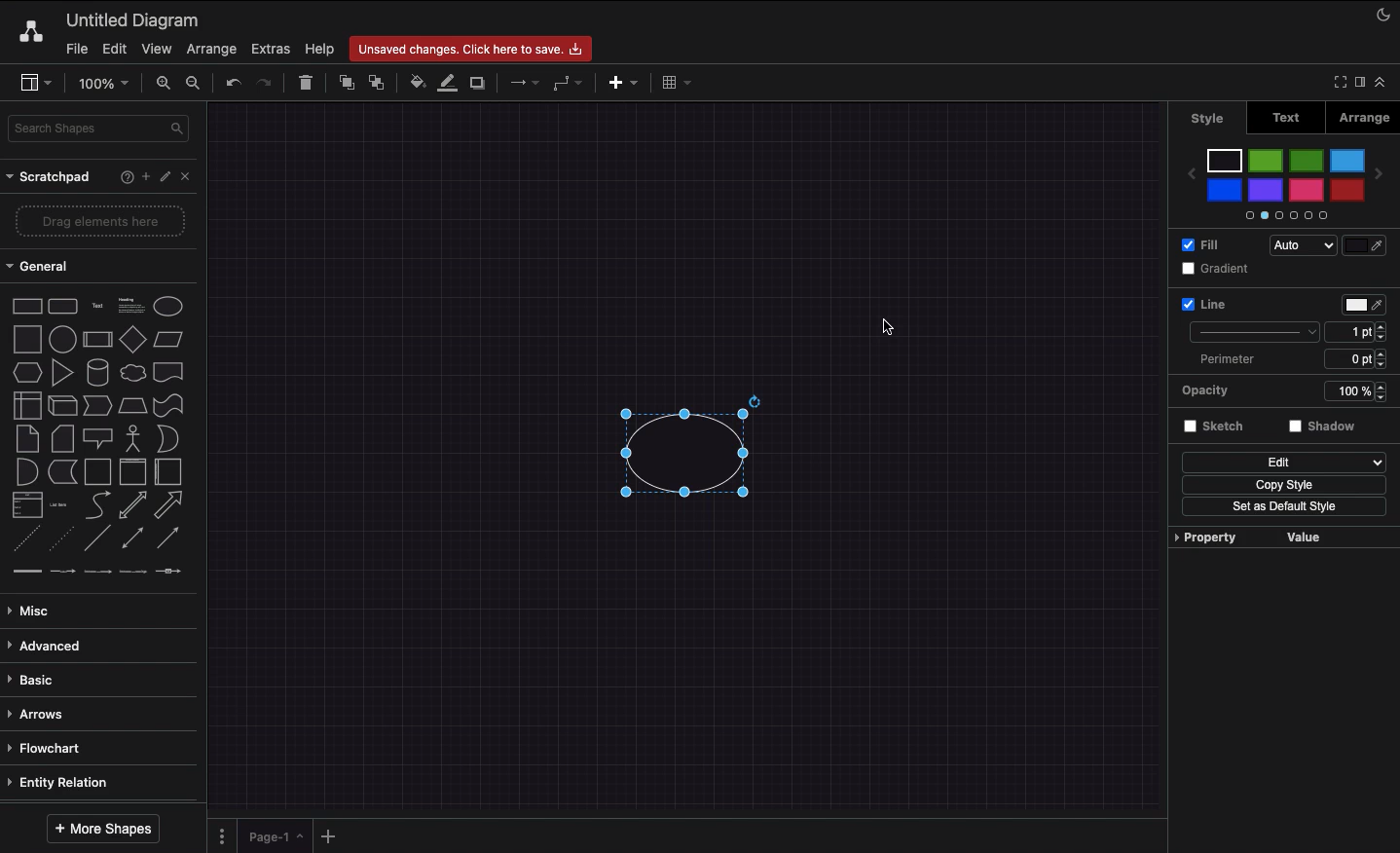 Image resolution: width=1400 pixels, height=853 pixels. Describe the element at coordinates (525, 83) in the screenshot. I see `Connection ` at that location.